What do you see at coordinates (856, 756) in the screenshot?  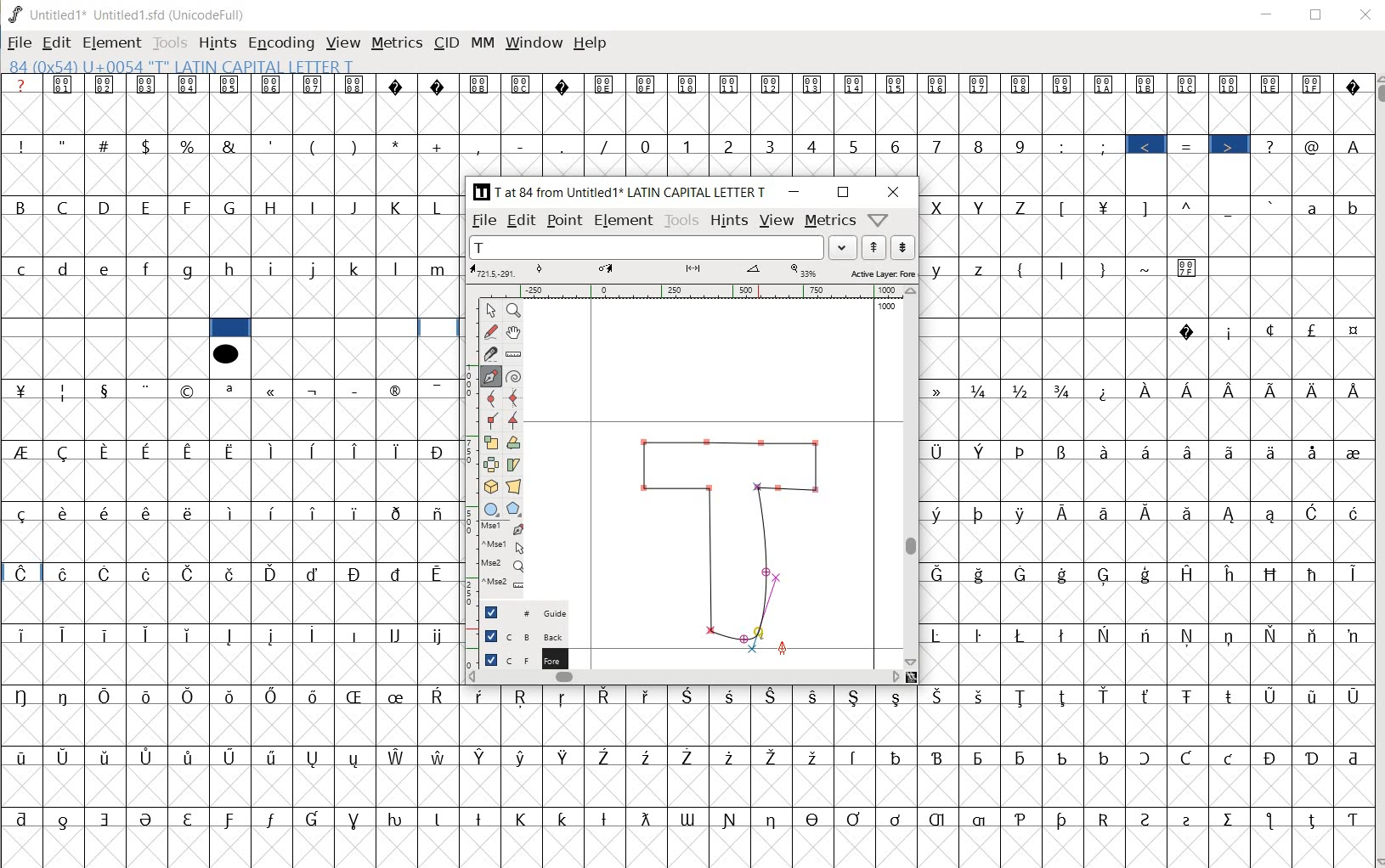 I see `Symbol` at bounding box center [856, 756].